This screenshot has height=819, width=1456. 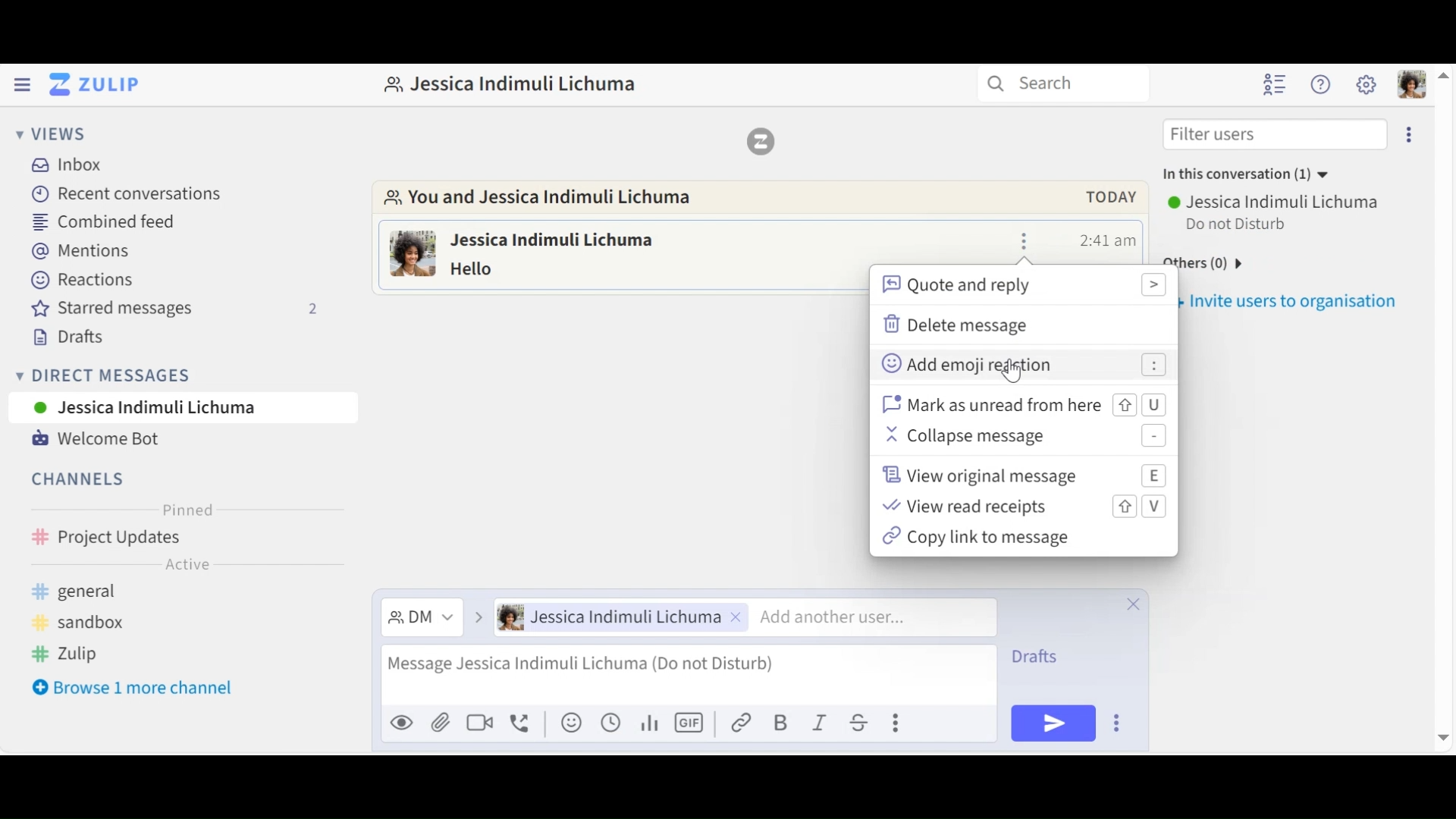 I want to click on message actions, so click(x=1025, y=240).